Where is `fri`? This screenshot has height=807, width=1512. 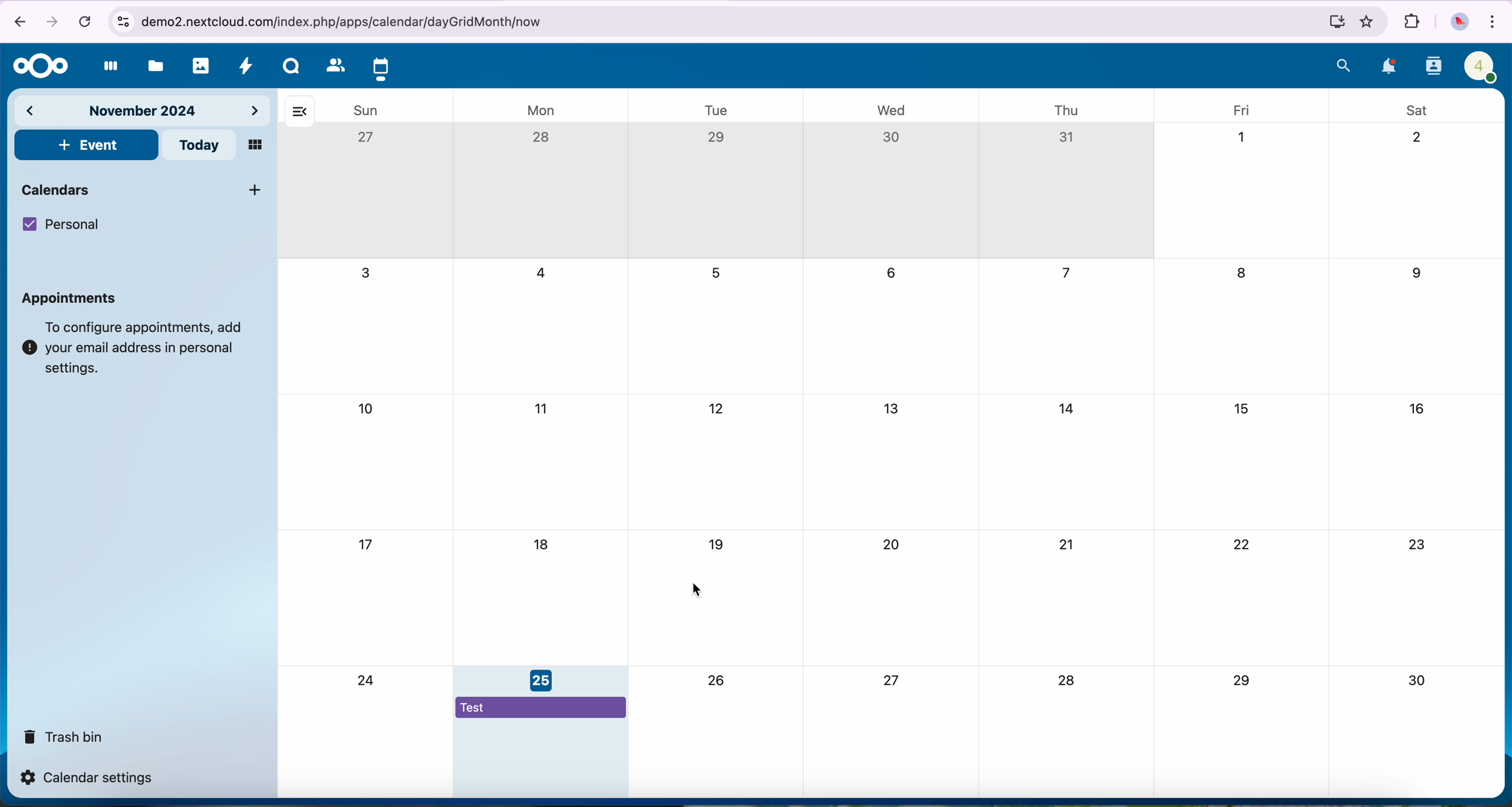
fri is located at coordinates (1238, 108).